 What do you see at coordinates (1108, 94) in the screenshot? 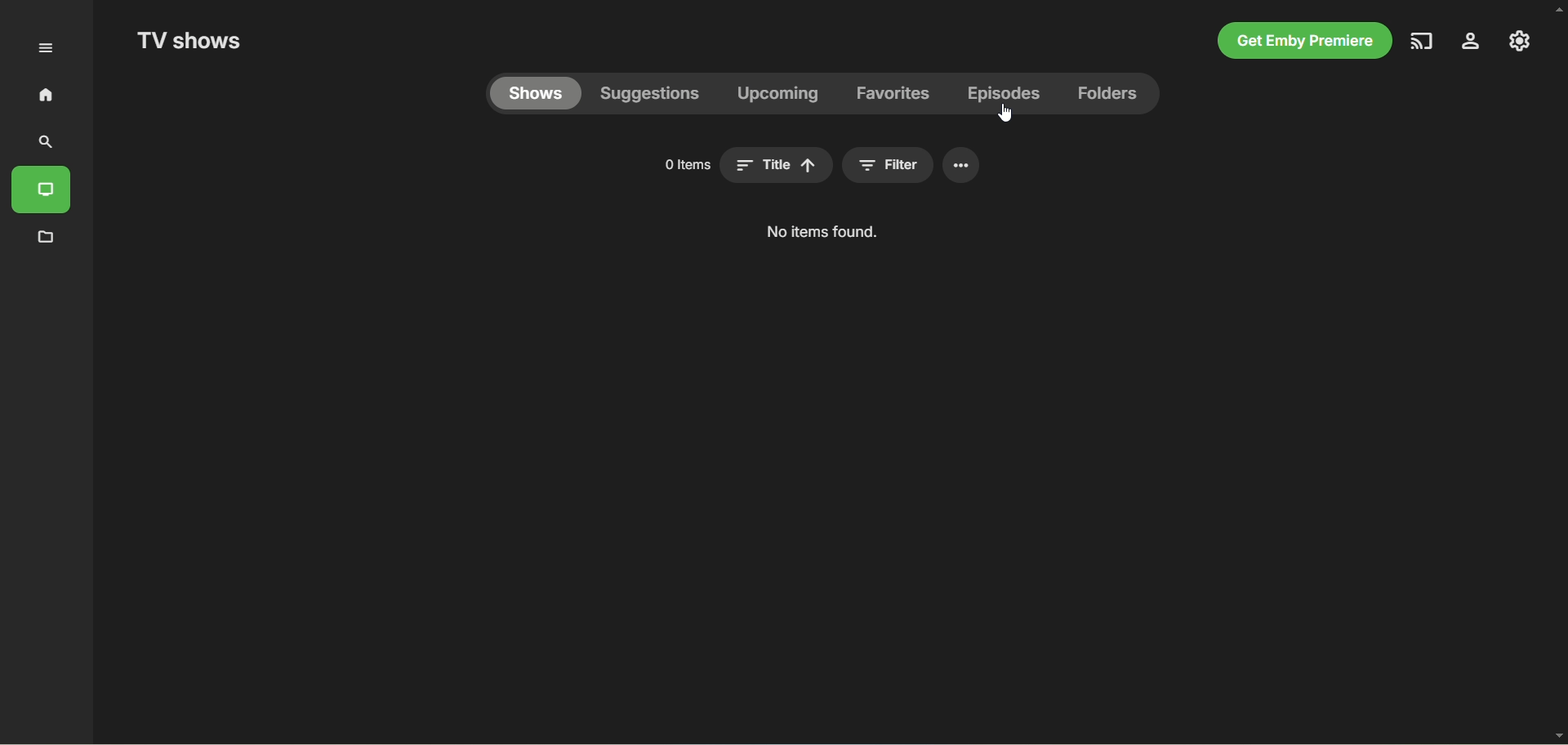
I see `folders` at bounding box center [1108, 94].